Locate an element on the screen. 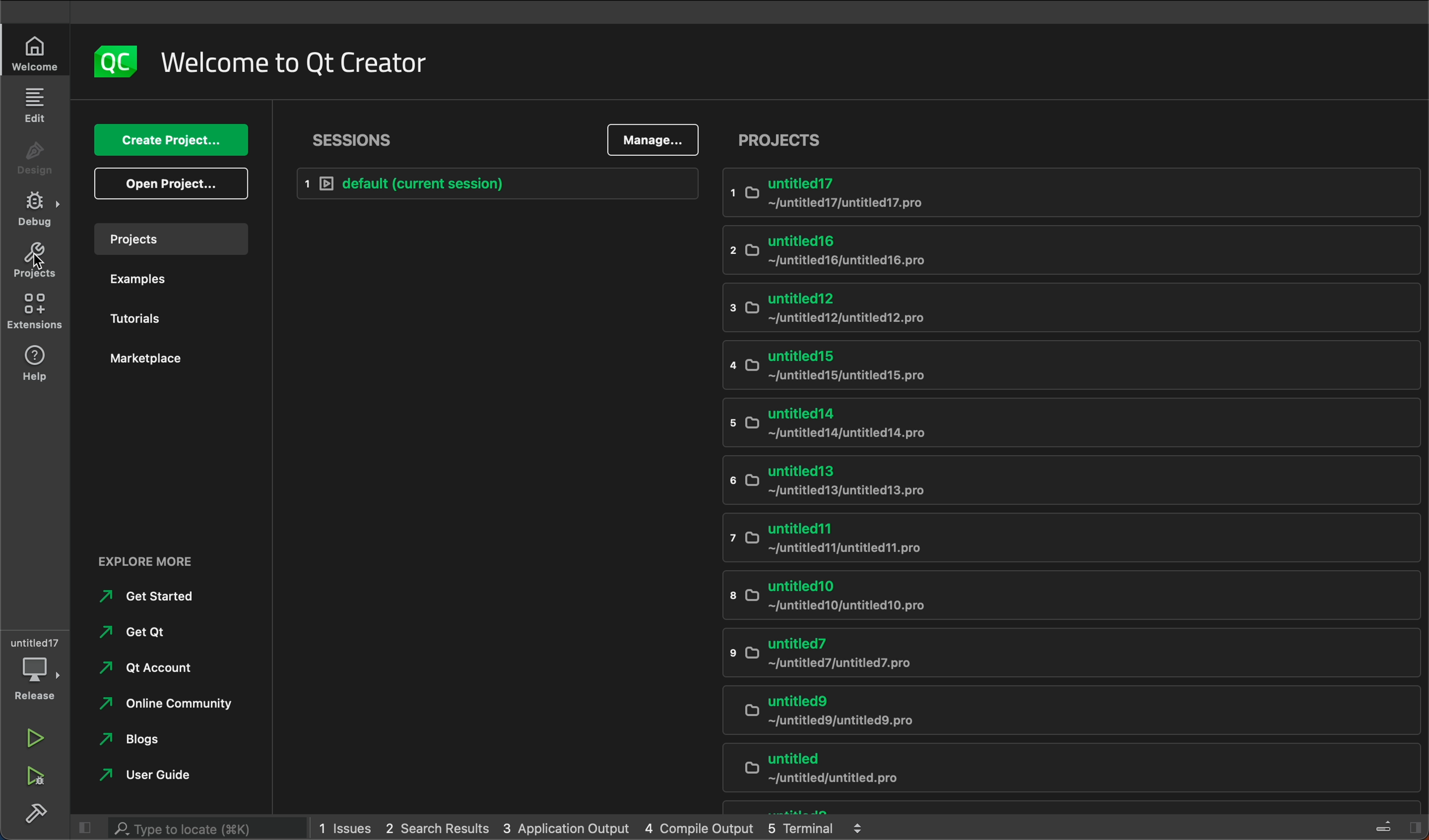 Image resolution: width=1429 pixels, height=840 pixels. untitled12 is located at coordinates (1051, 308).